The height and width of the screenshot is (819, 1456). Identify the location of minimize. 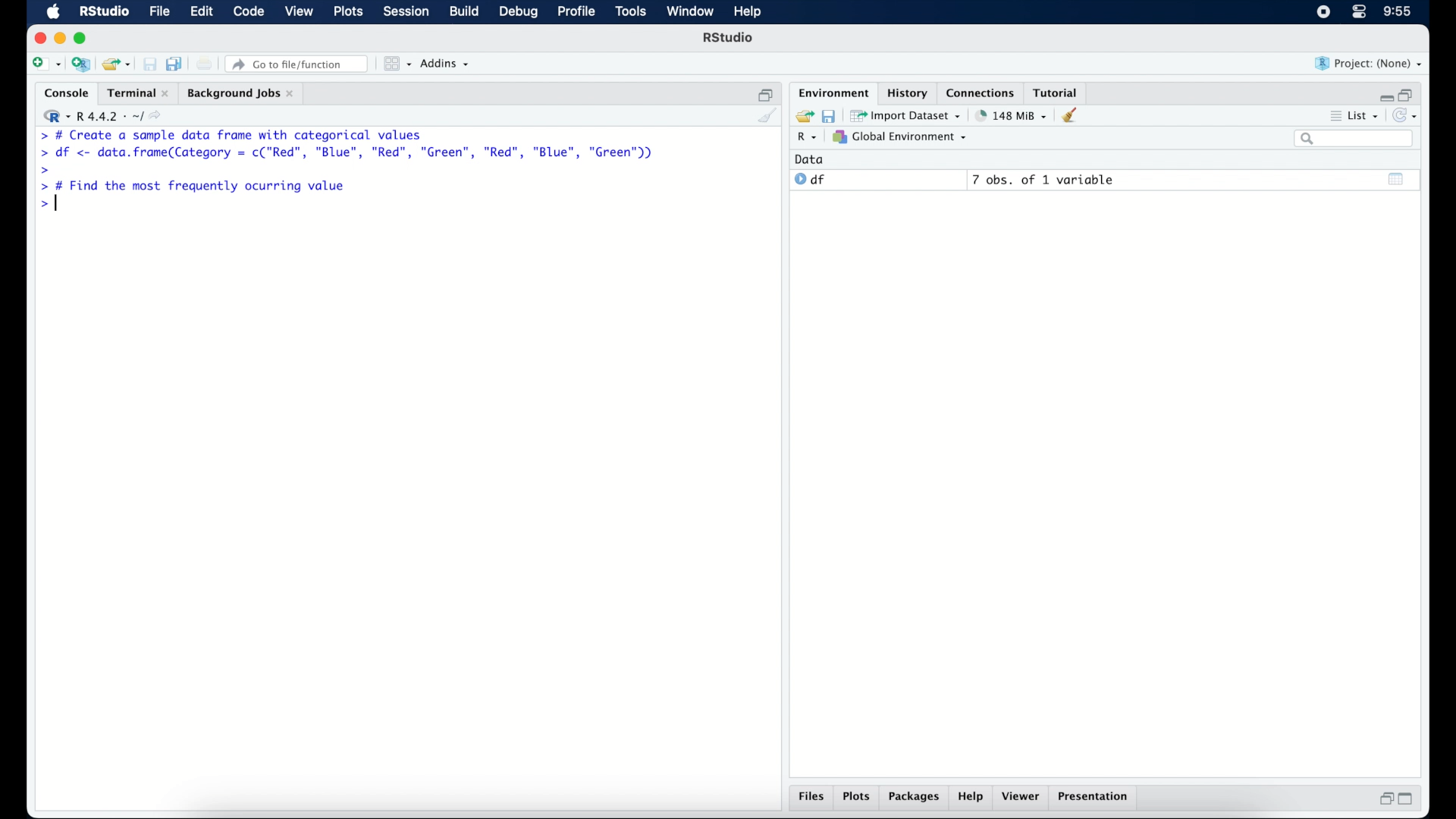
(1383, 95).